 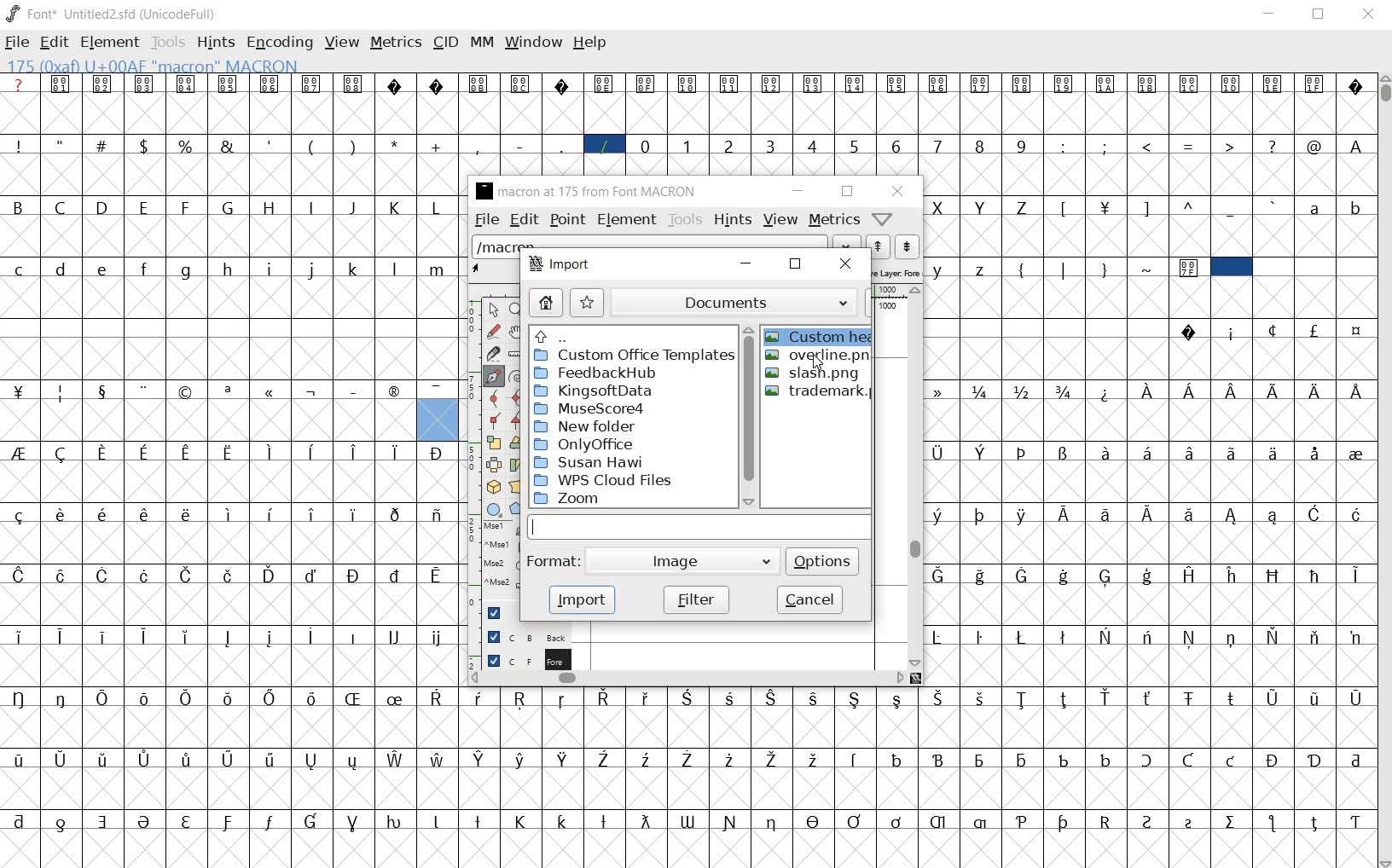 What do you see at coordinates (516, 309) in the screenshot?
I see `zoom` at bounding box center [516, 309].